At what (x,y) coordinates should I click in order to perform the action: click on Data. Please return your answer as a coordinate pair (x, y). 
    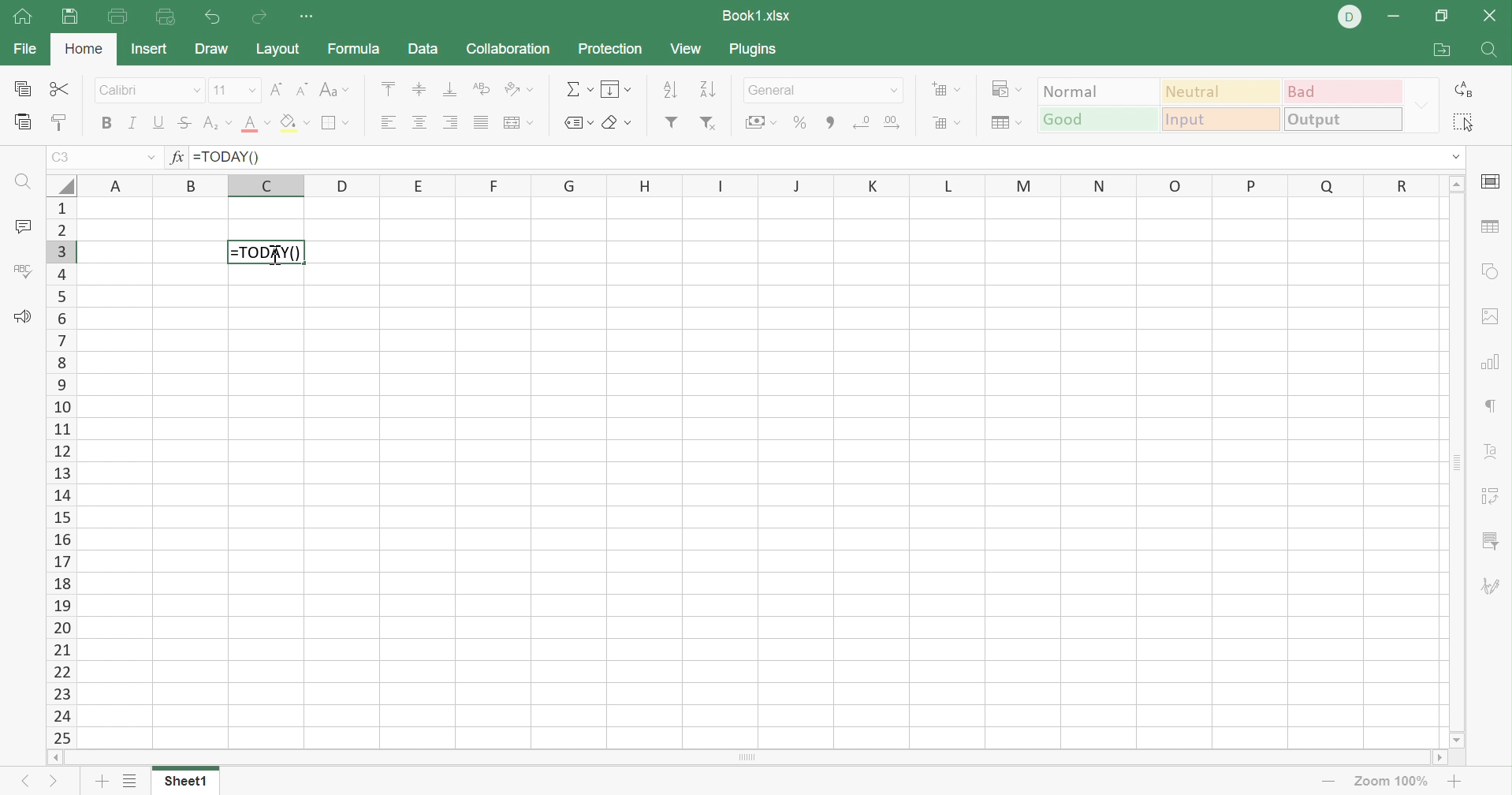
    Looking at the image, I should click on (425, 48).